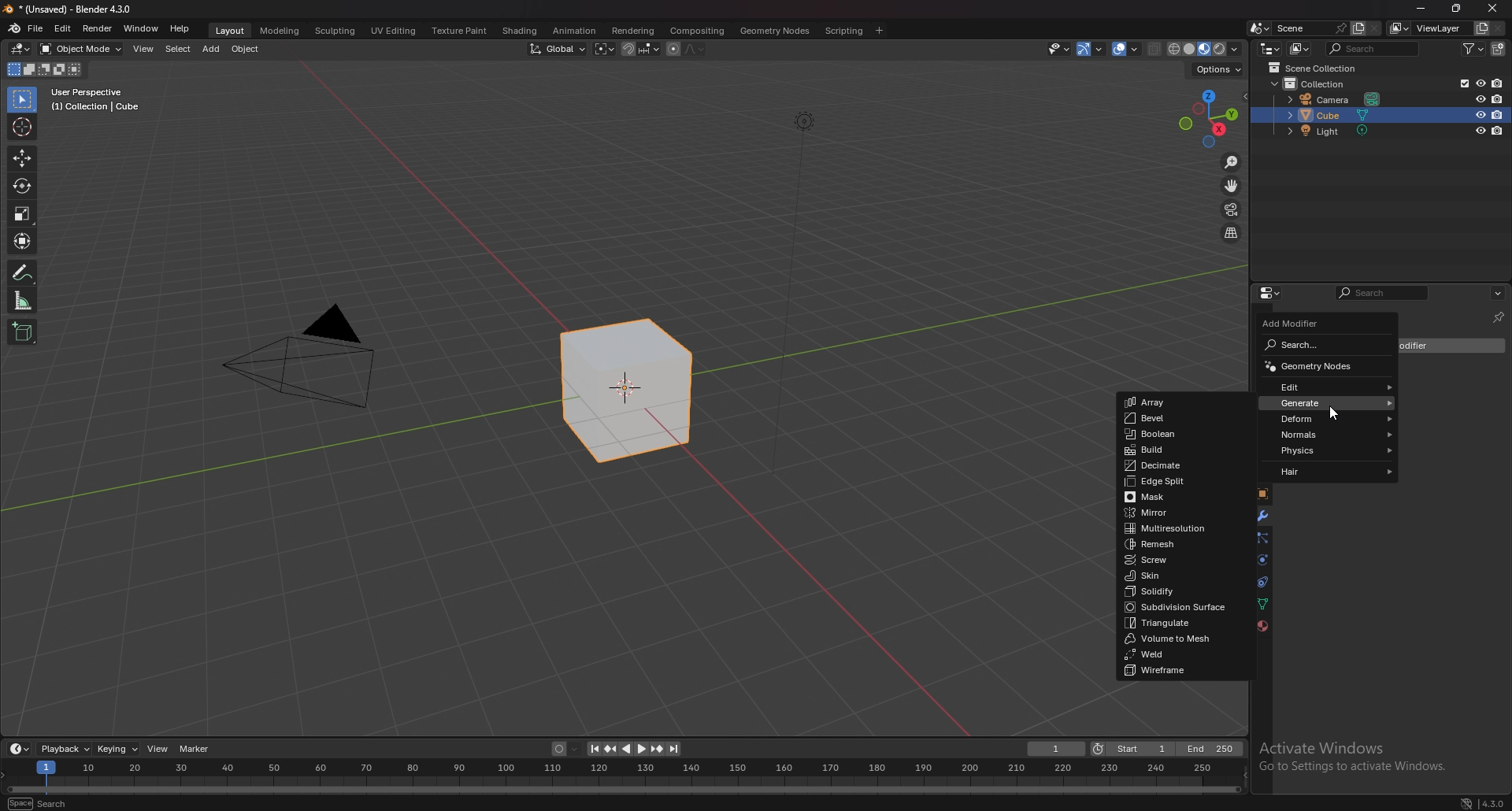 The width and height of the screenshot is (1512, 811). I want to click on object mode, so click(81, 48).